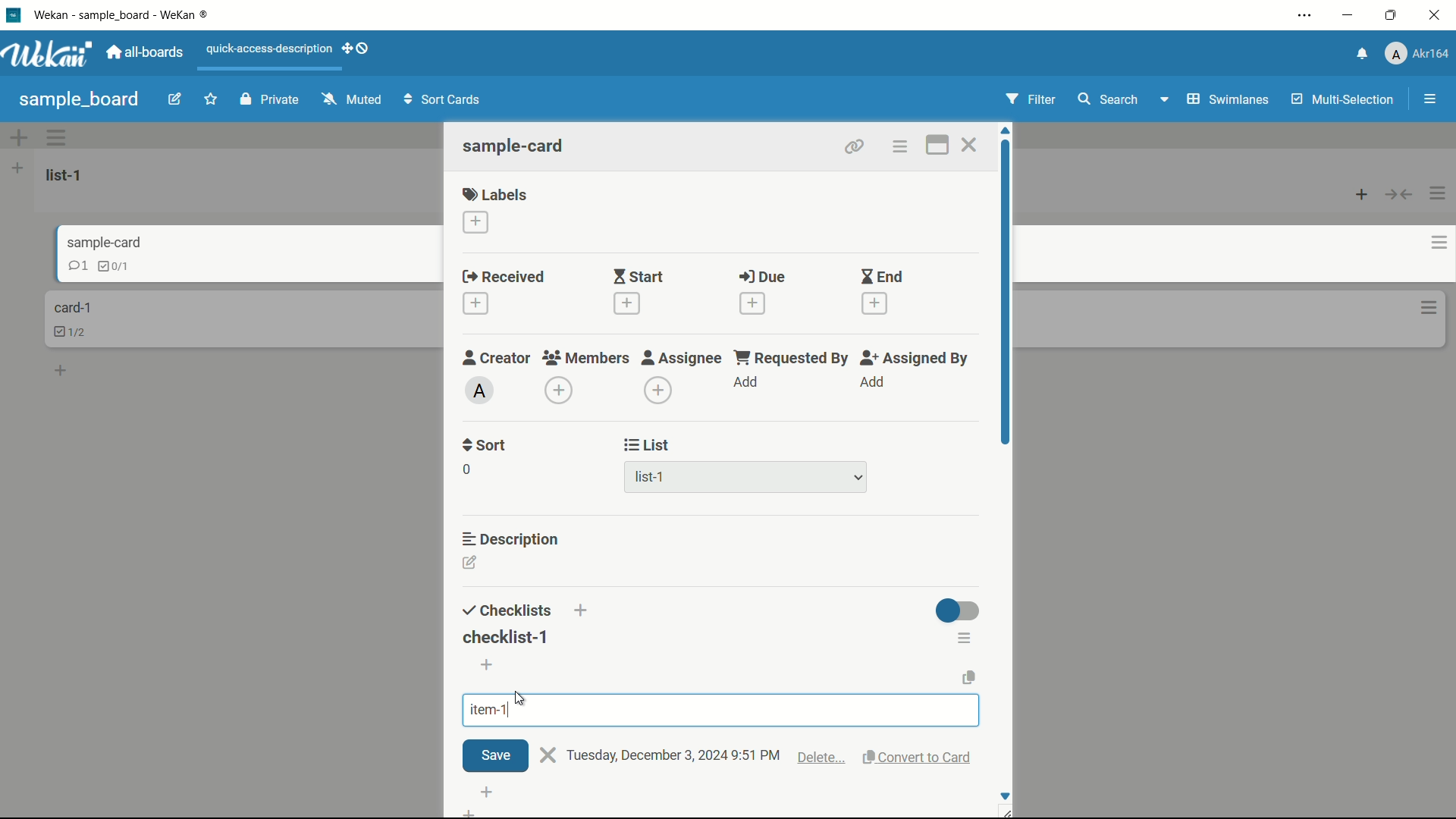 This screenshot has height=819, width=1456. Describe the element at coordinates (968, 677) in the screenshot. I see `copy text to clipboard` at that location.